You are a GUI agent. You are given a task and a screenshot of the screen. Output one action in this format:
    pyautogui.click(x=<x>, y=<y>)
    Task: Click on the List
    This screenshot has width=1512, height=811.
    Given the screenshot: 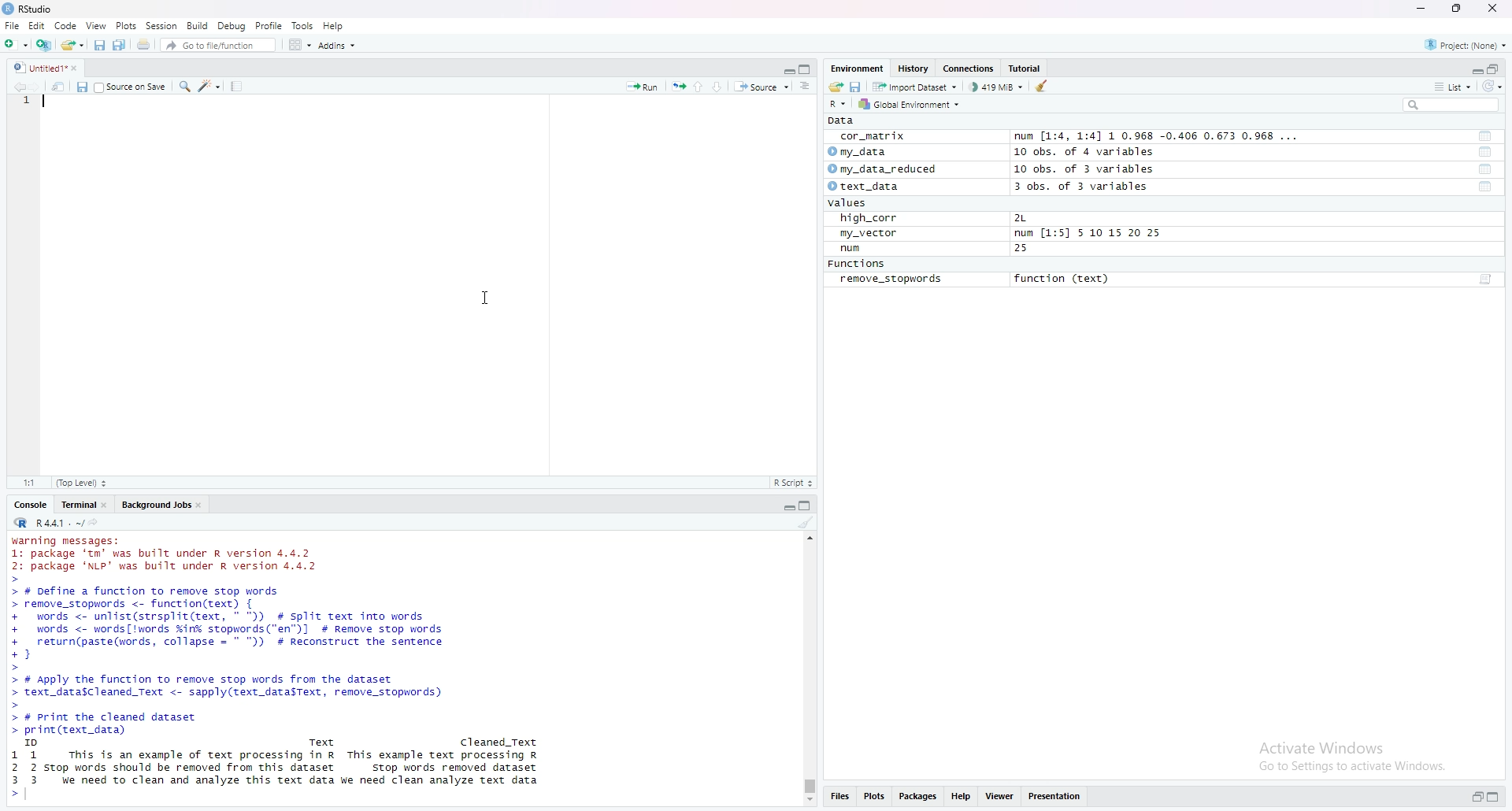 What is the action you would take?
    pyautogui.click(x=1453, y=87)
    